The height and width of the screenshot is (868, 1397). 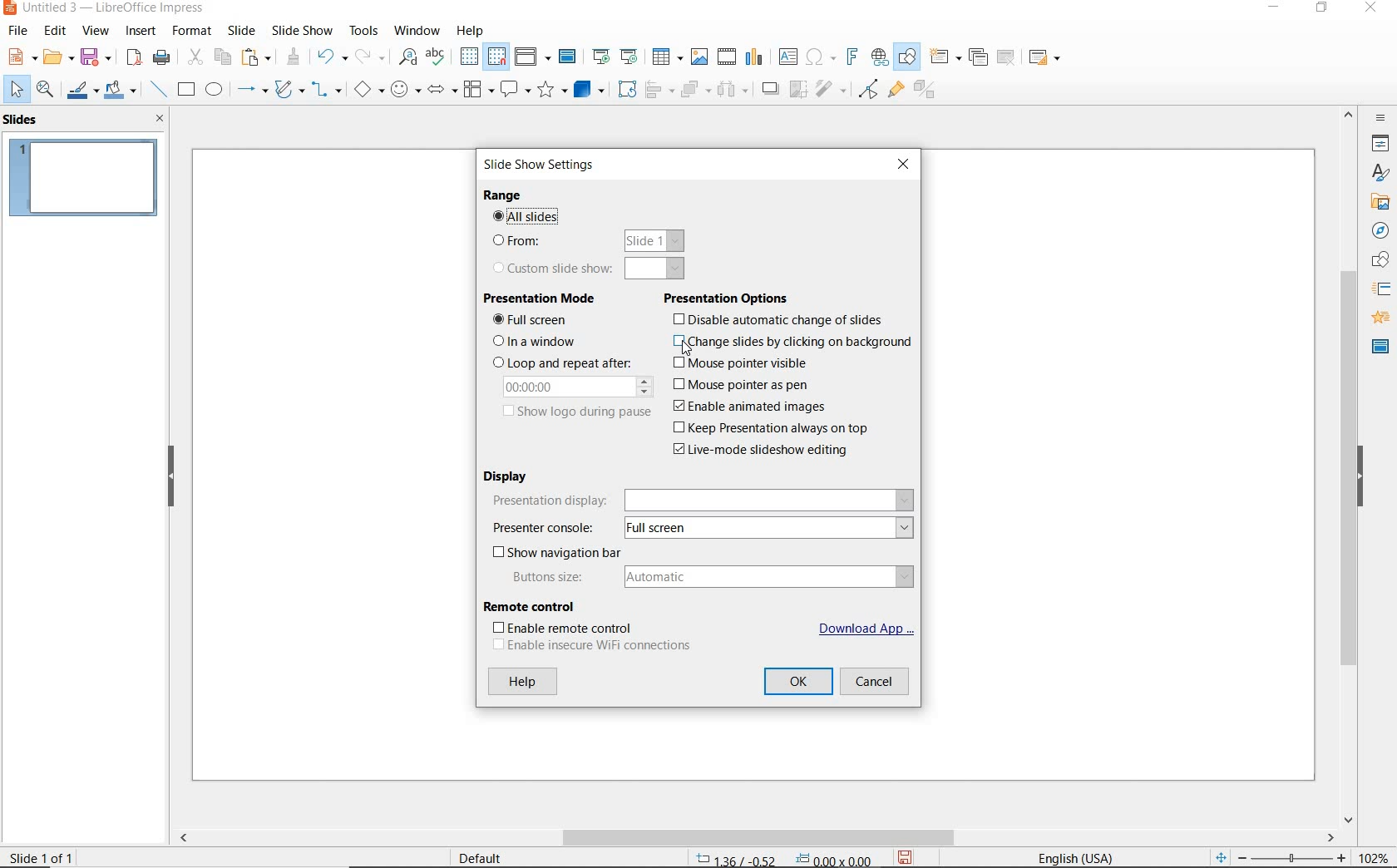 I want to click on VIEW, so click(x=96, y=32).